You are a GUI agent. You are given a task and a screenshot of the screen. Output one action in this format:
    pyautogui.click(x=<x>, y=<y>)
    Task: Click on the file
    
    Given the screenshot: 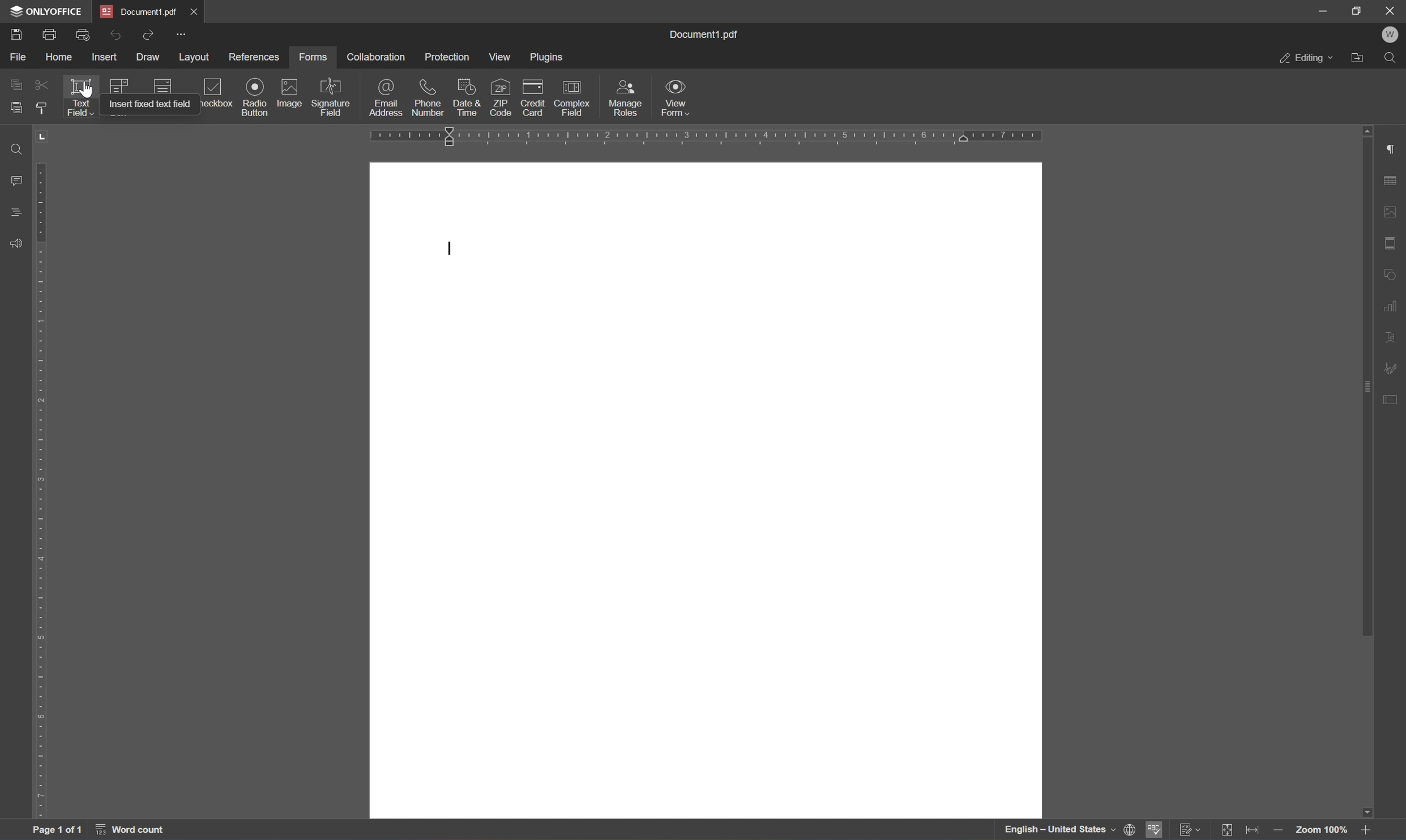 What is the action you would take?
    pyautogui.click(x=20, y=58)
    